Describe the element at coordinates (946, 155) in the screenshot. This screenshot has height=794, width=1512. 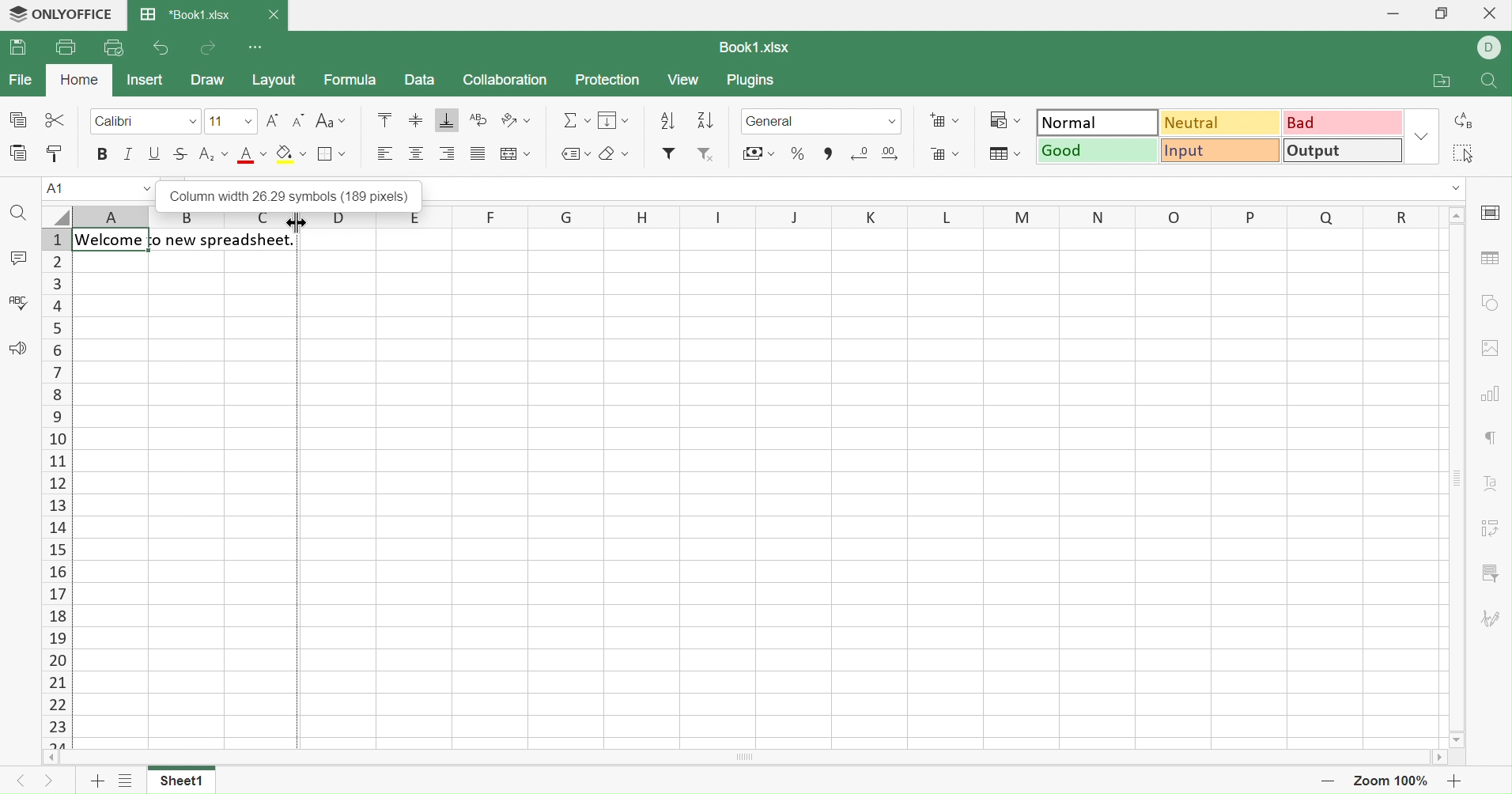
I see `Remove cells` at that location.